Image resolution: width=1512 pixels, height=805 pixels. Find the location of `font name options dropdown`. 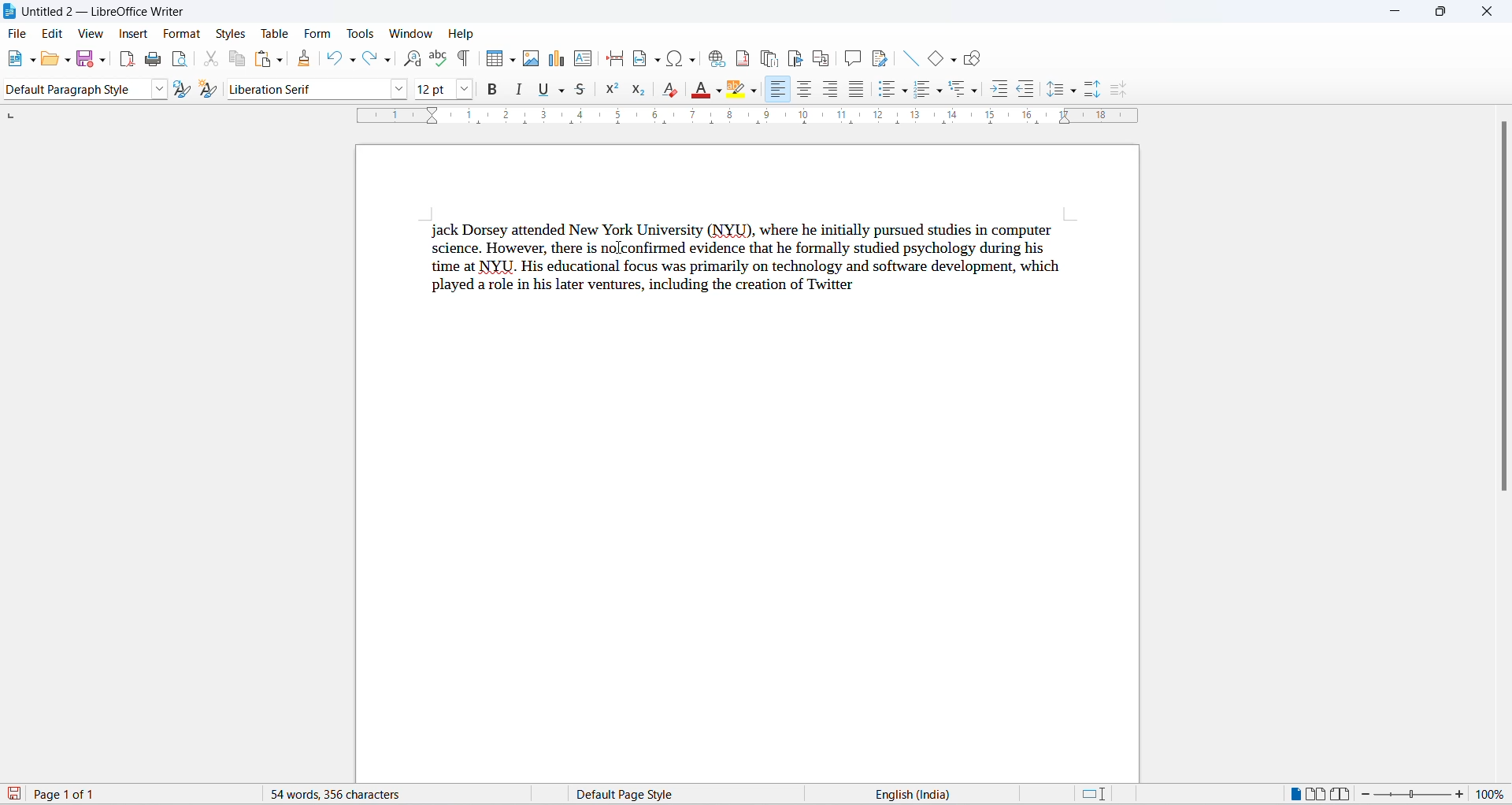

font name options dropdown is located at coordinates (403, 92).